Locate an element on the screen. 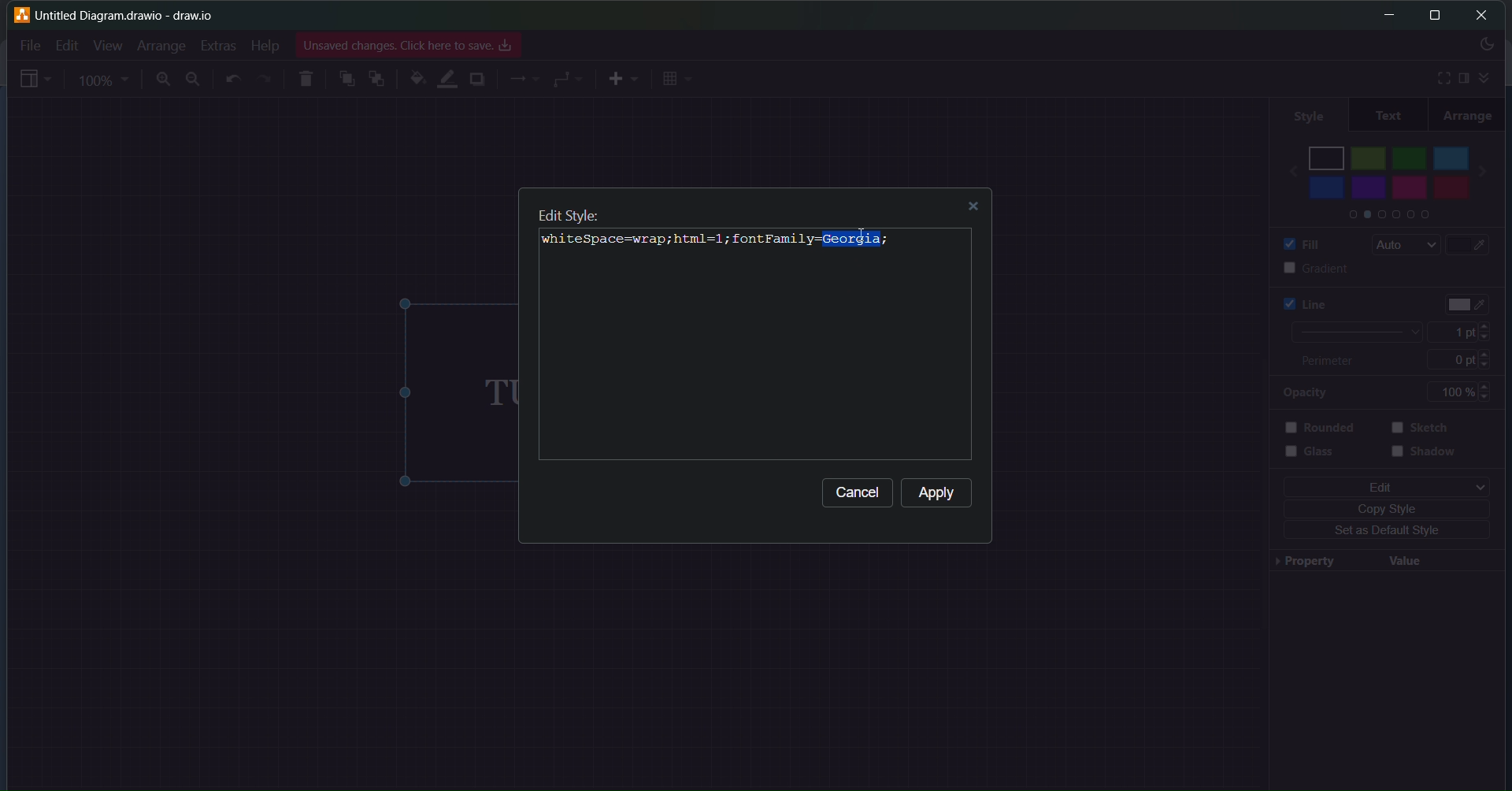 This screenshot has width=1512, height=791. gradient is located at coordinates (1301, 268).